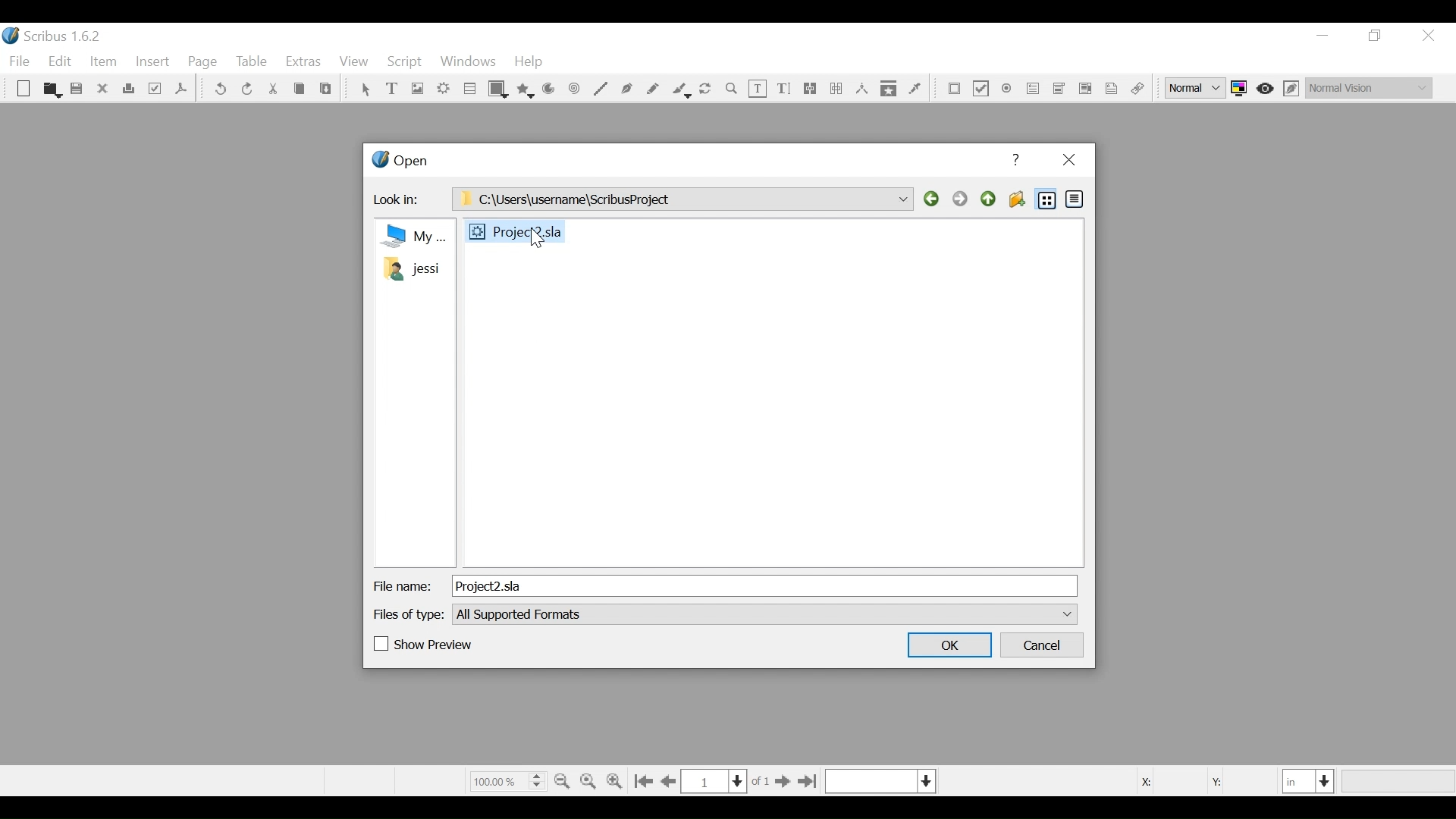 This screenshot has width=1456, height=819. Describe the element at coordinates (1293, 88) in the screenshot. I see `Edit in Preview mode` at that location.